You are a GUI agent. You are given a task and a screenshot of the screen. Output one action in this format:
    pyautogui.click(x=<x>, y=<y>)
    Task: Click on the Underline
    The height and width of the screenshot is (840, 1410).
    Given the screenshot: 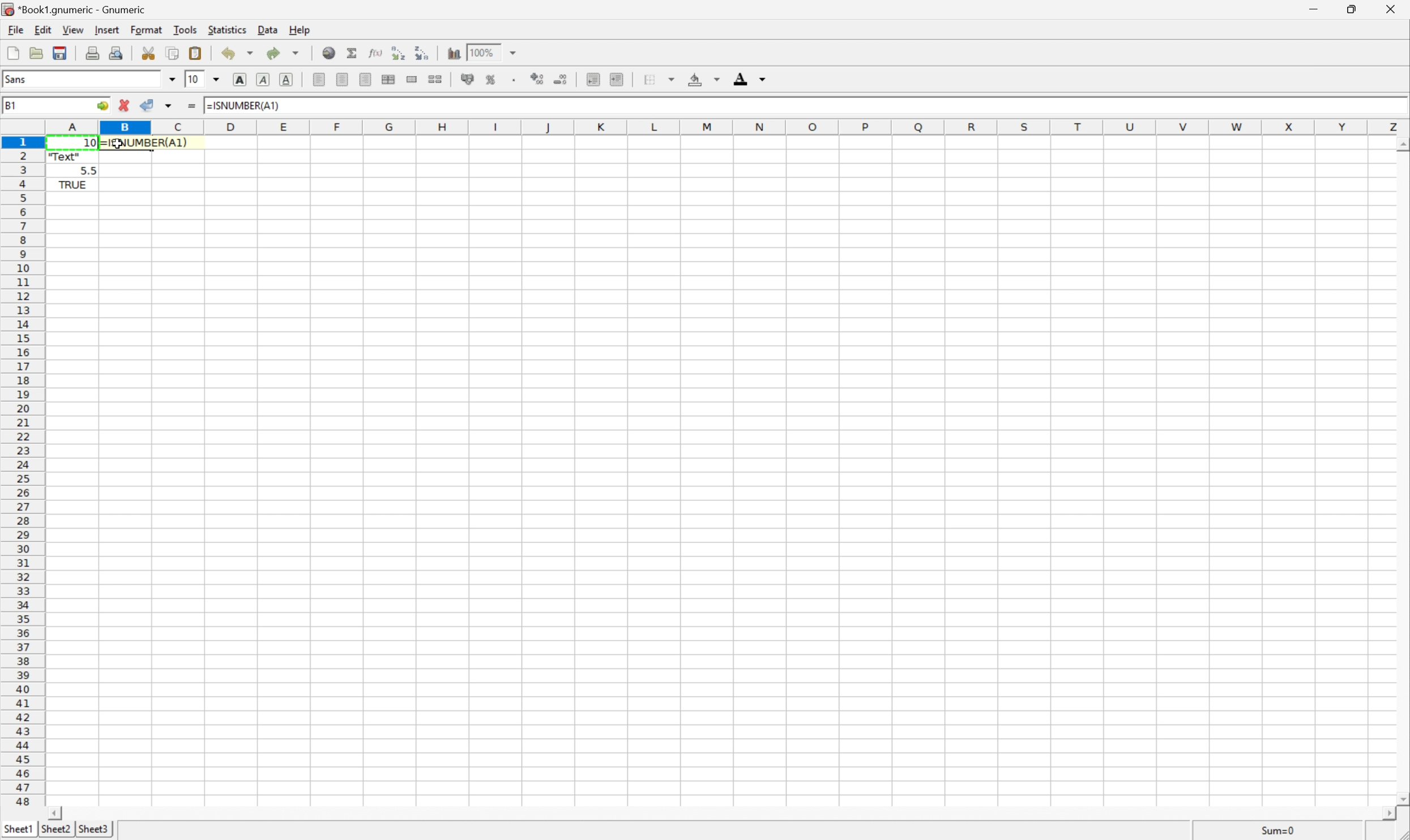 What is the action you would take?
    pyautogui.click(x=287, y=79)
    